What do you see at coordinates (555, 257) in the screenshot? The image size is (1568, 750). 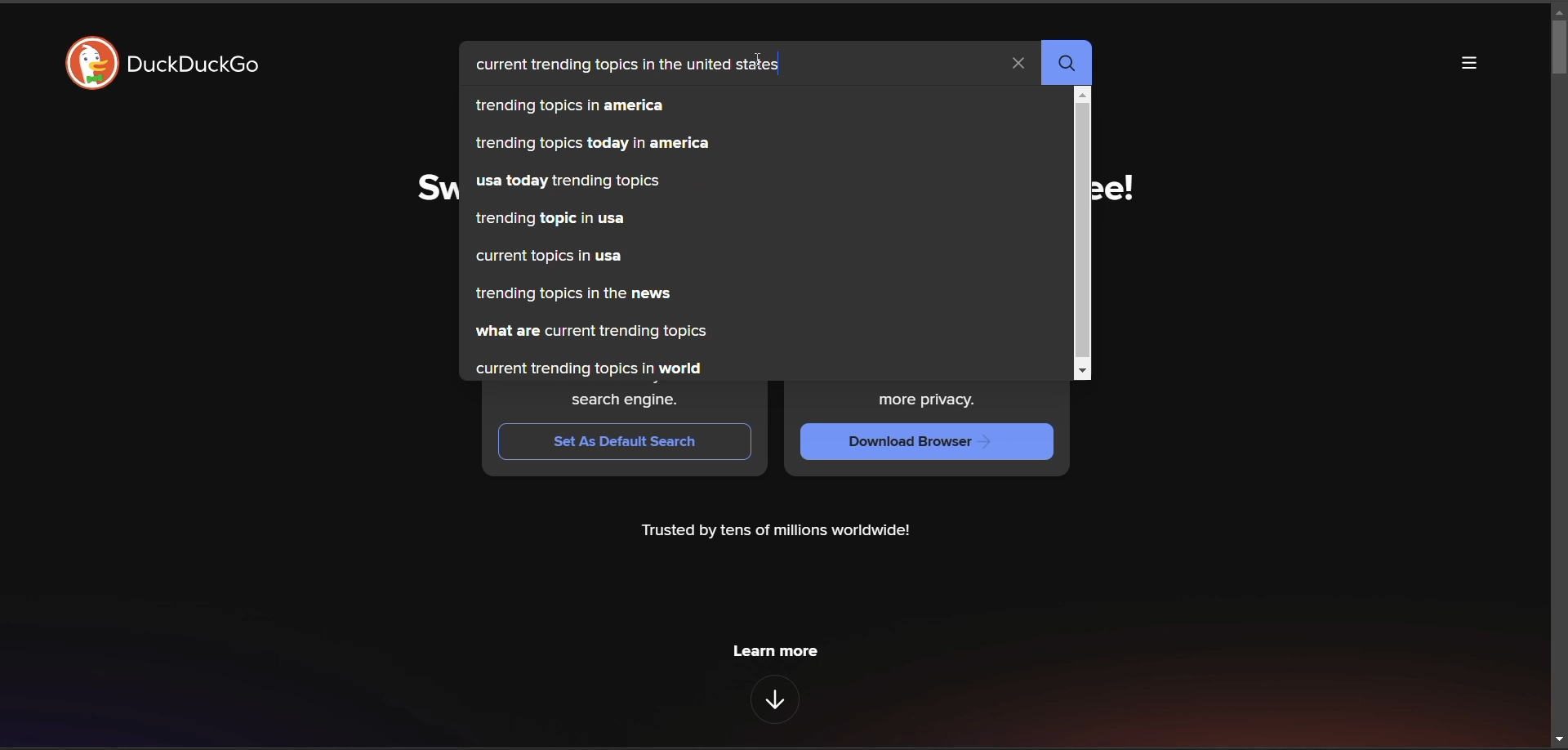 I see `current topics in usa` at bounding box center [555, 257].